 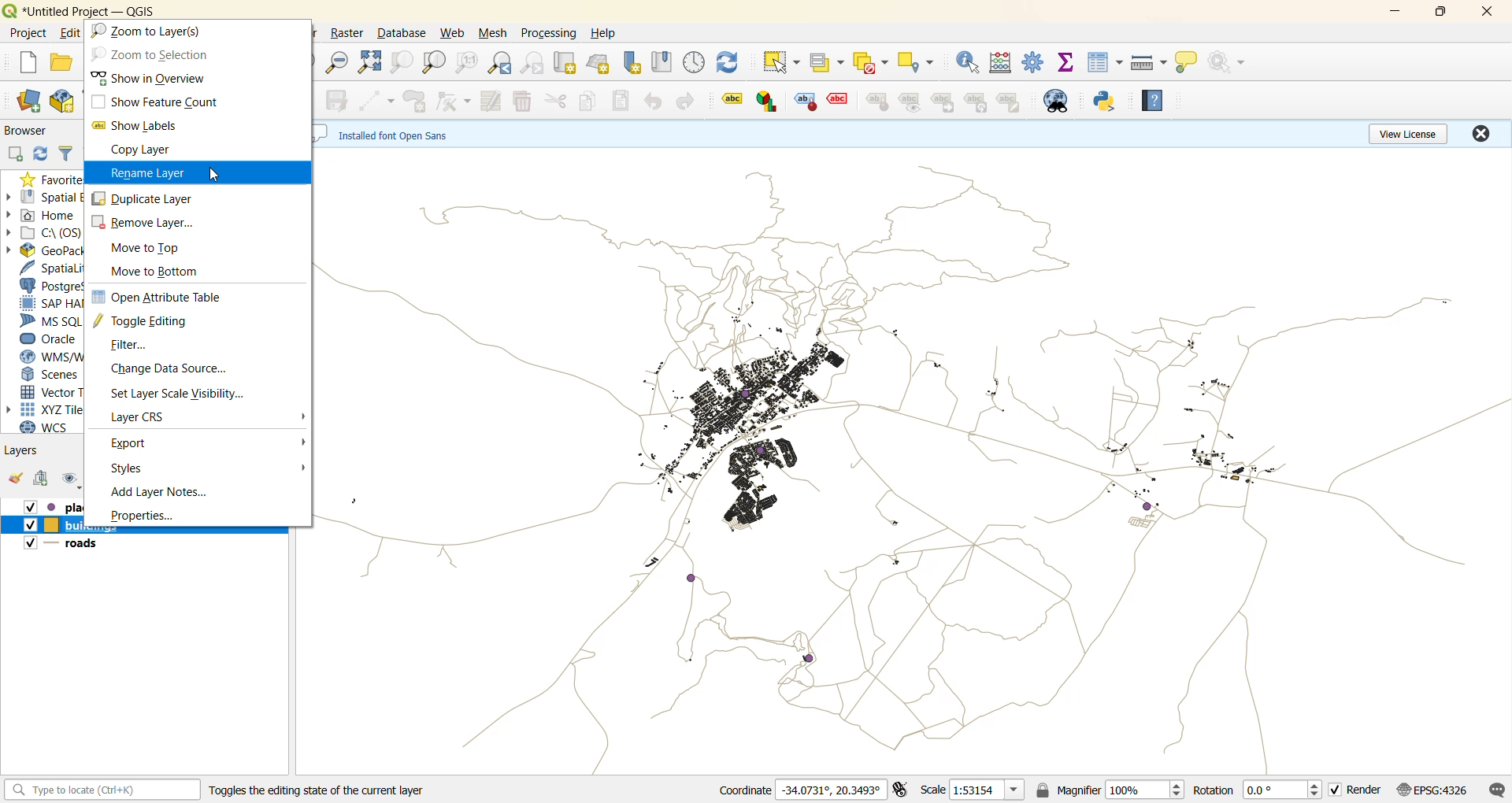 What do you see at coordinates (20, 62) in the screenshot?
I see `new` at bounding box center [20, 62].